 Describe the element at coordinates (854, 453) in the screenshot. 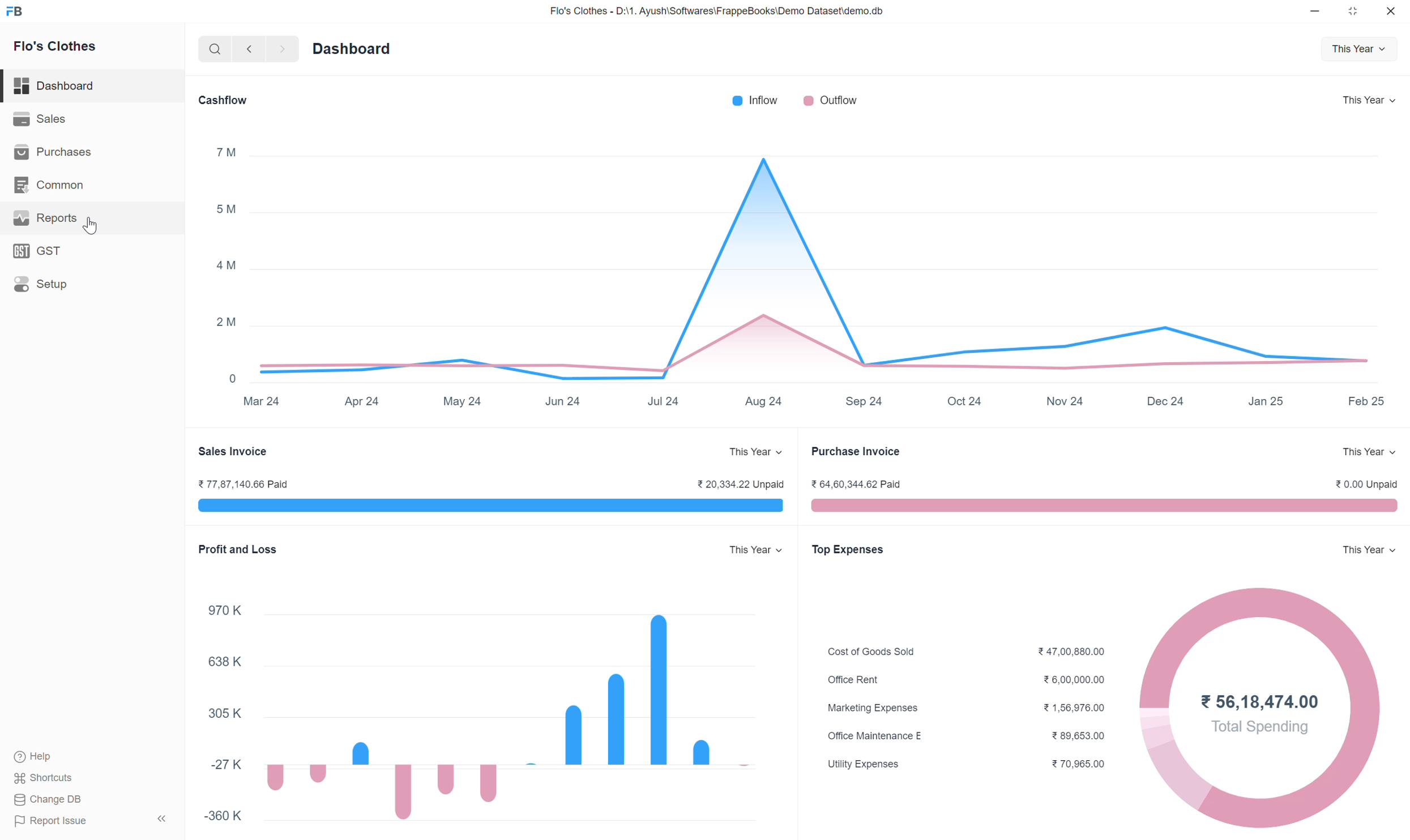

I see `purchase invoice` at that location.